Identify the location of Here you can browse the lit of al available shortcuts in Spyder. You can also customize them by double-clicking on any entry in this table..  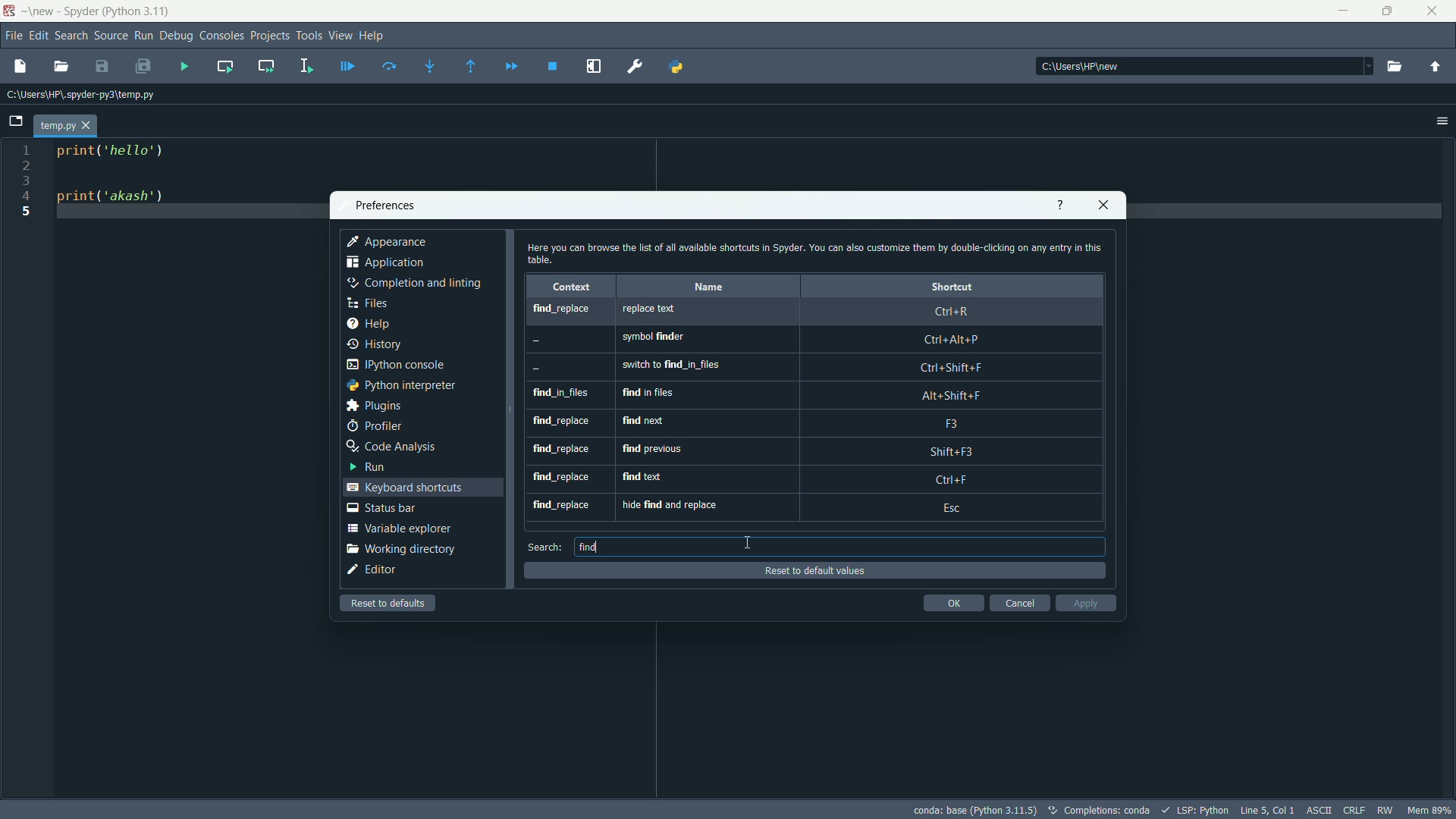
(814, 252).